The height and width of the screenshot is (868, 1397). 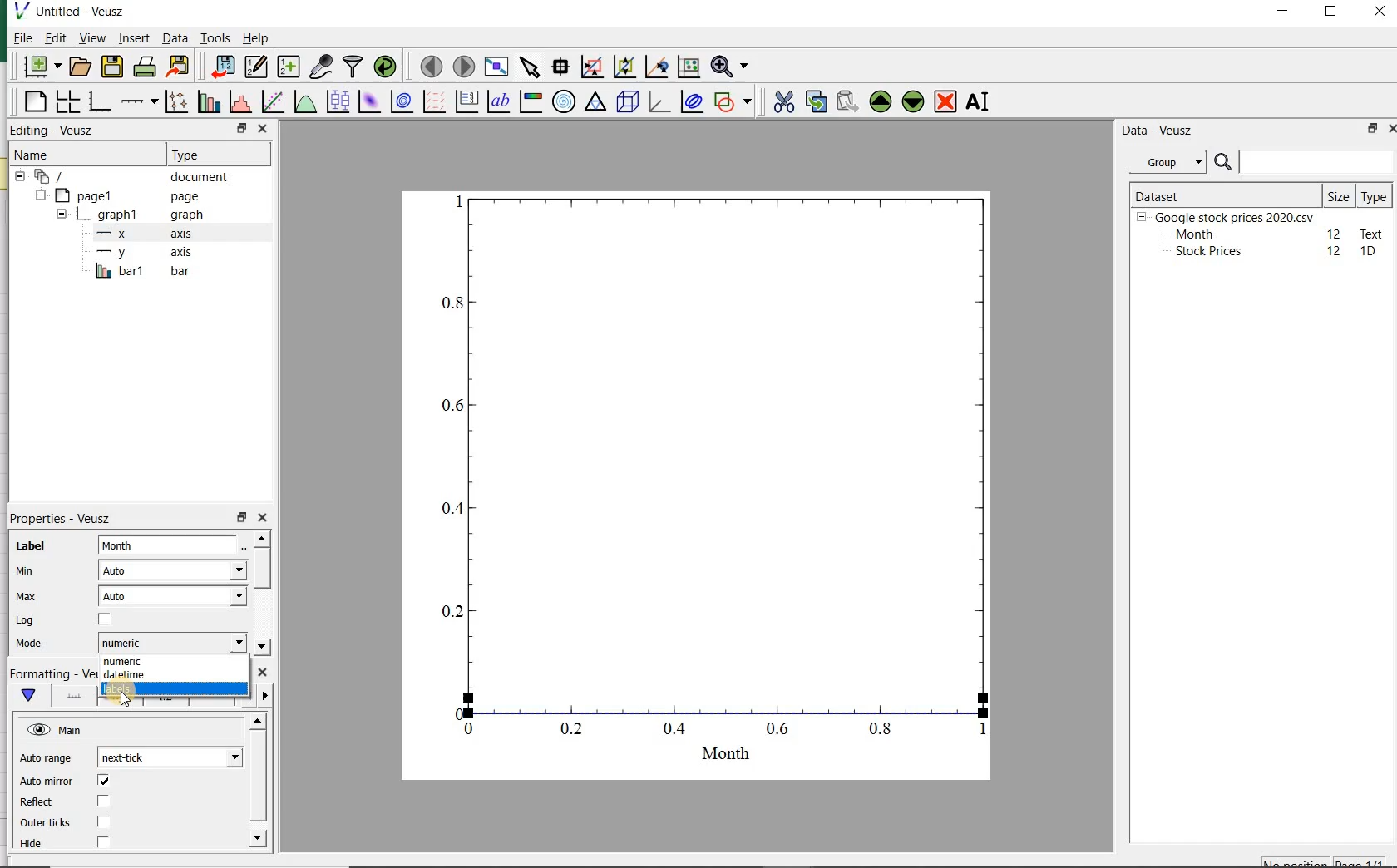 I want to click on Min, so click(x=27, y=572).